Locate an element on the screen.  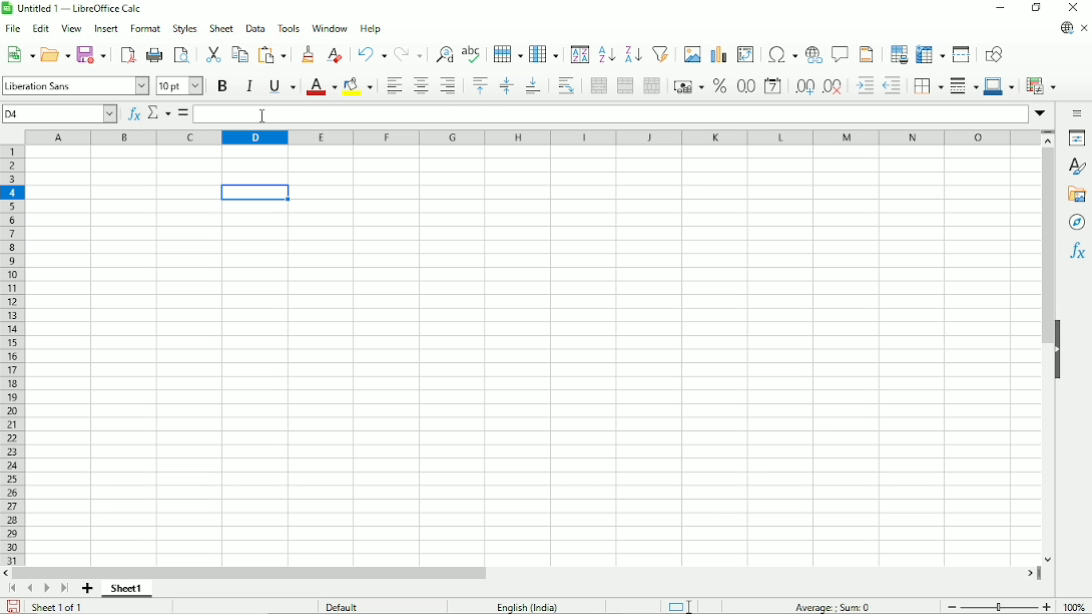
Export directly as PDF is located at coordinates (129, 55).